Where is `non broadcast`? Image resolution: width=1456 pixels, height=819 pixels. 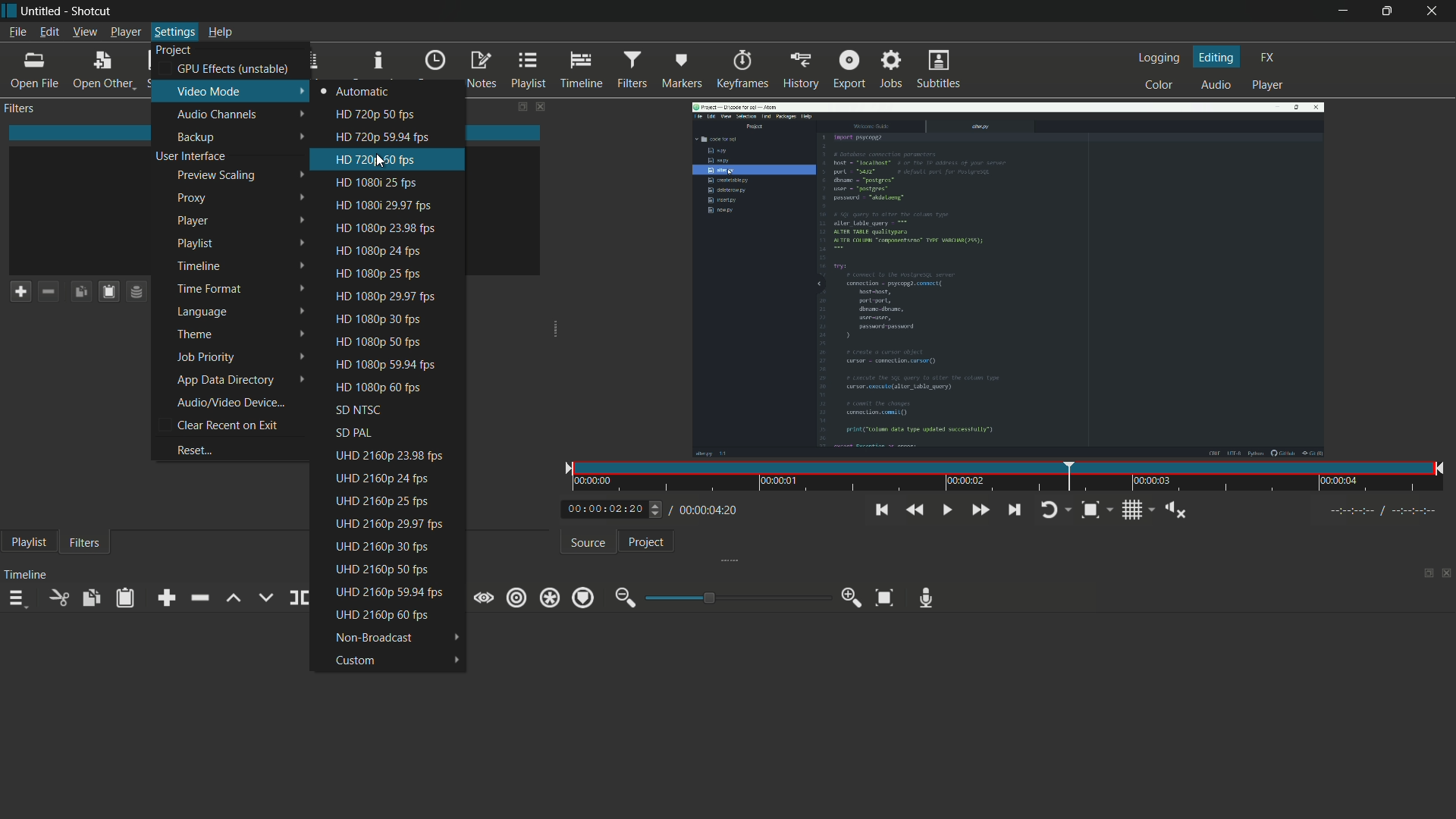
non broadcast is located at coordinates (397, 639).